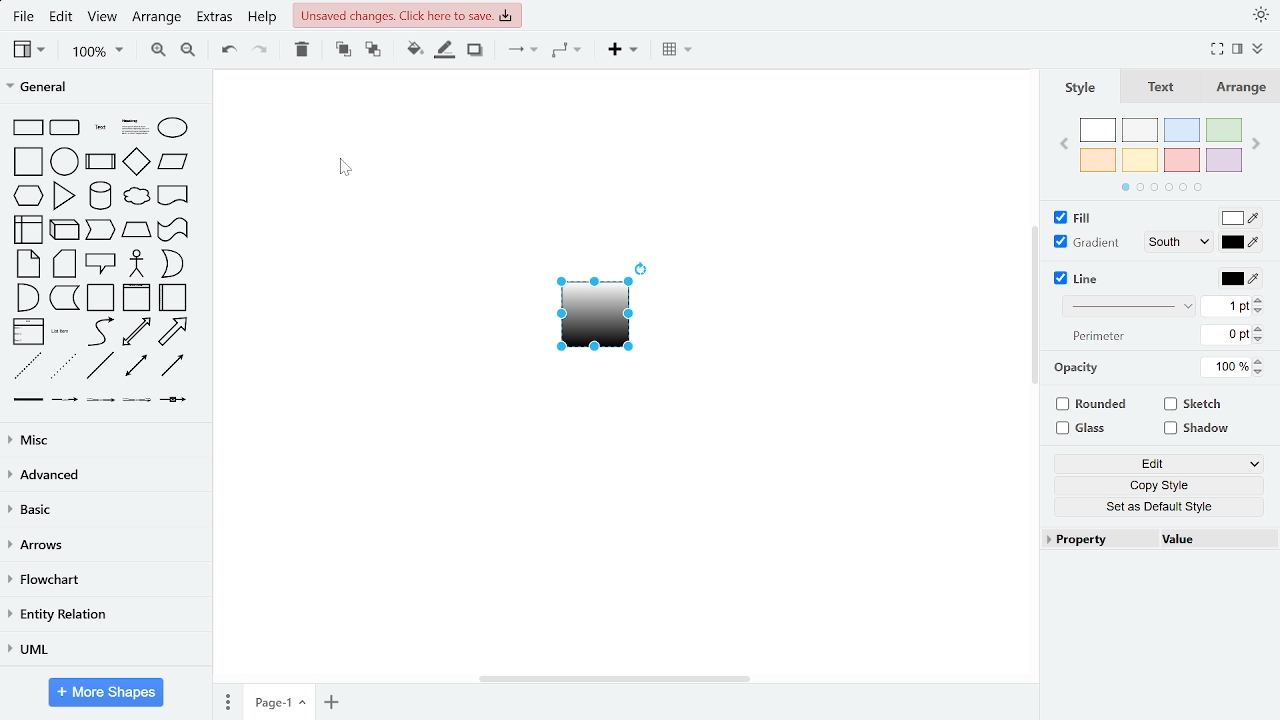  I want to click on pages, so click(229, 702).